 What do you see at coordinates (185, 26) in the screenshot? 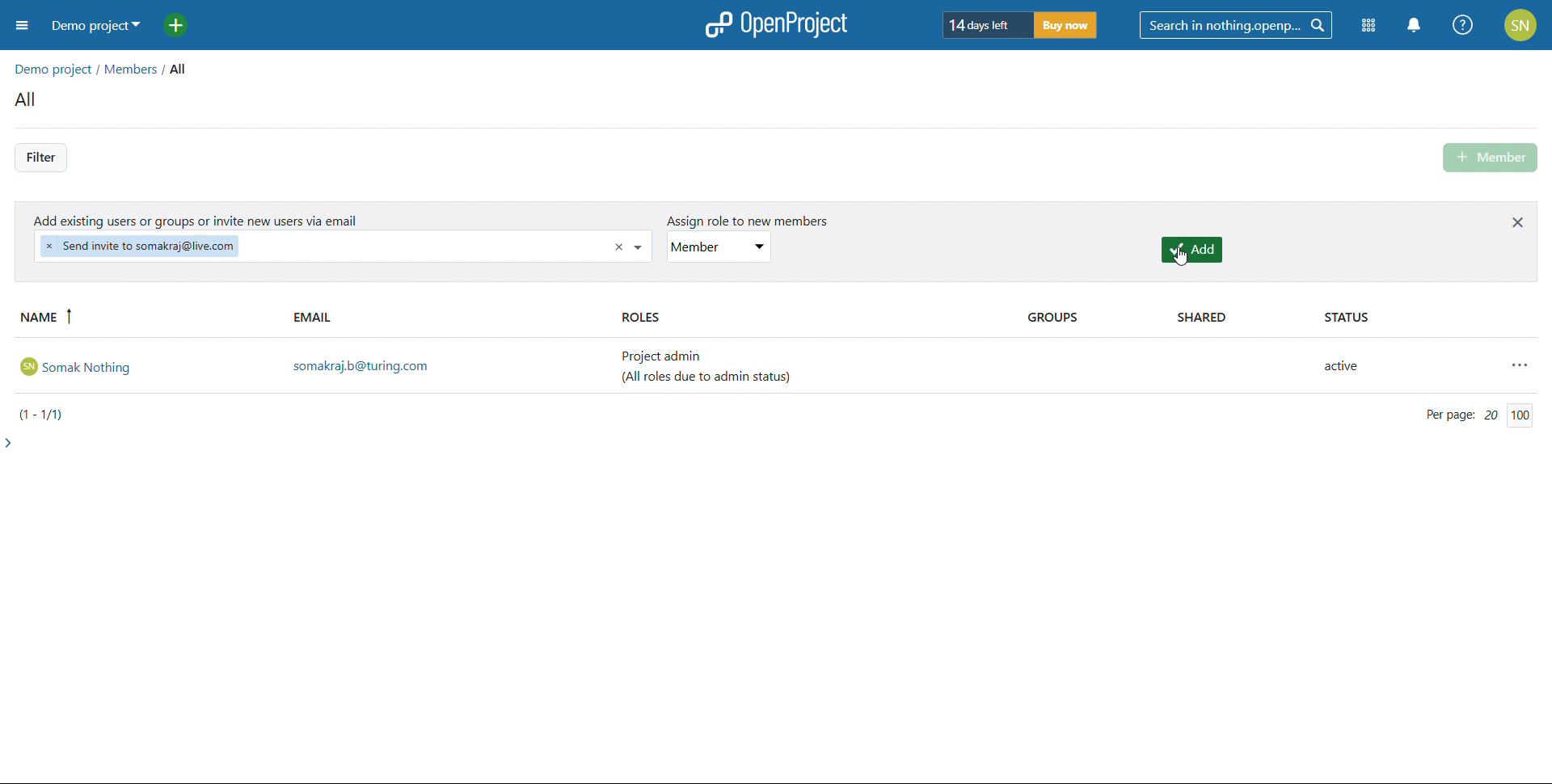
I see `add project` at bounding box center [185, 26].